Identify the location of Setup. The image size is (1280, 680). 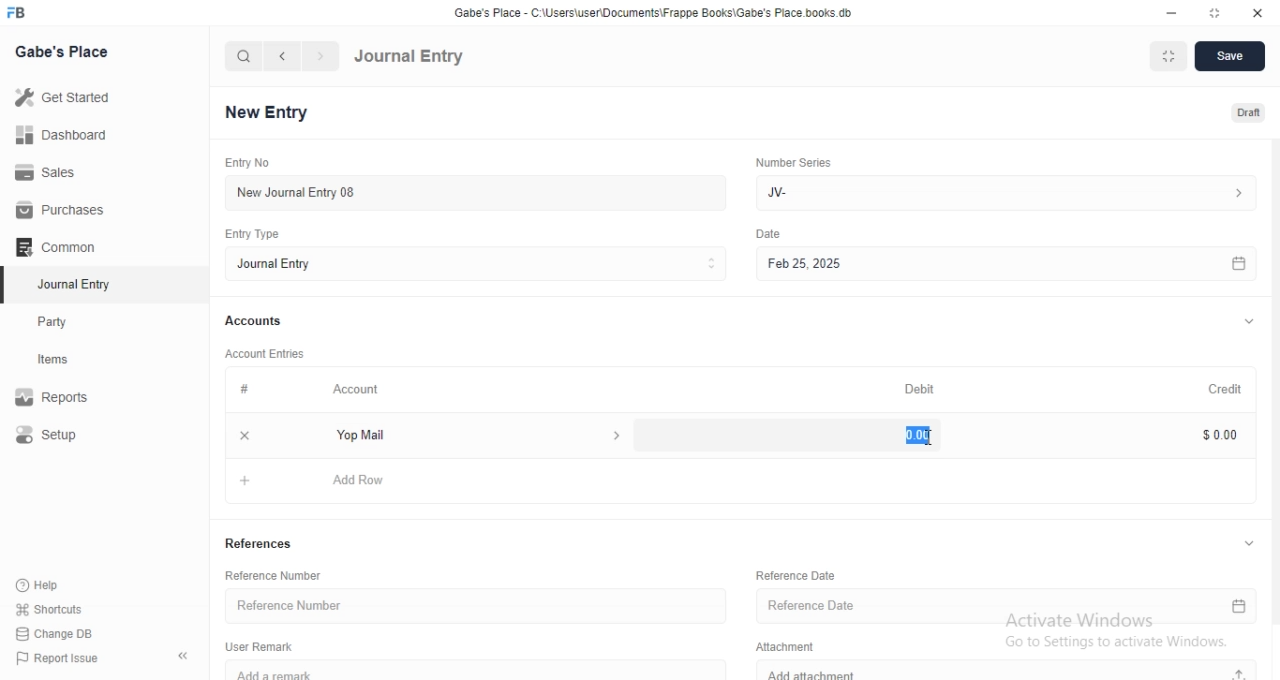
(68, 436).